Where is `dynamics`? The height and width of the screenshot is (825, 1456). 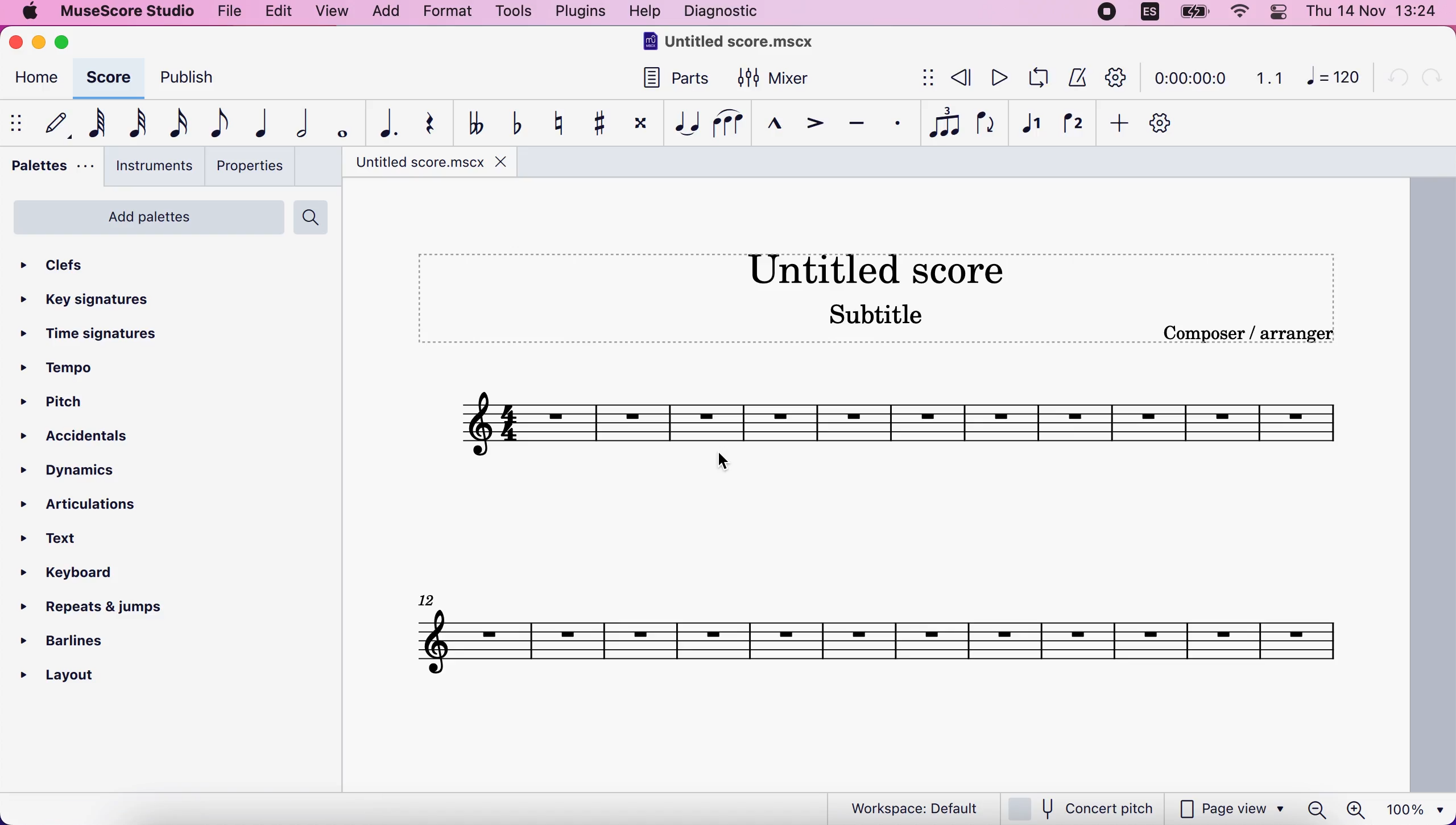
dynamics is located at coordinates (73, 472).